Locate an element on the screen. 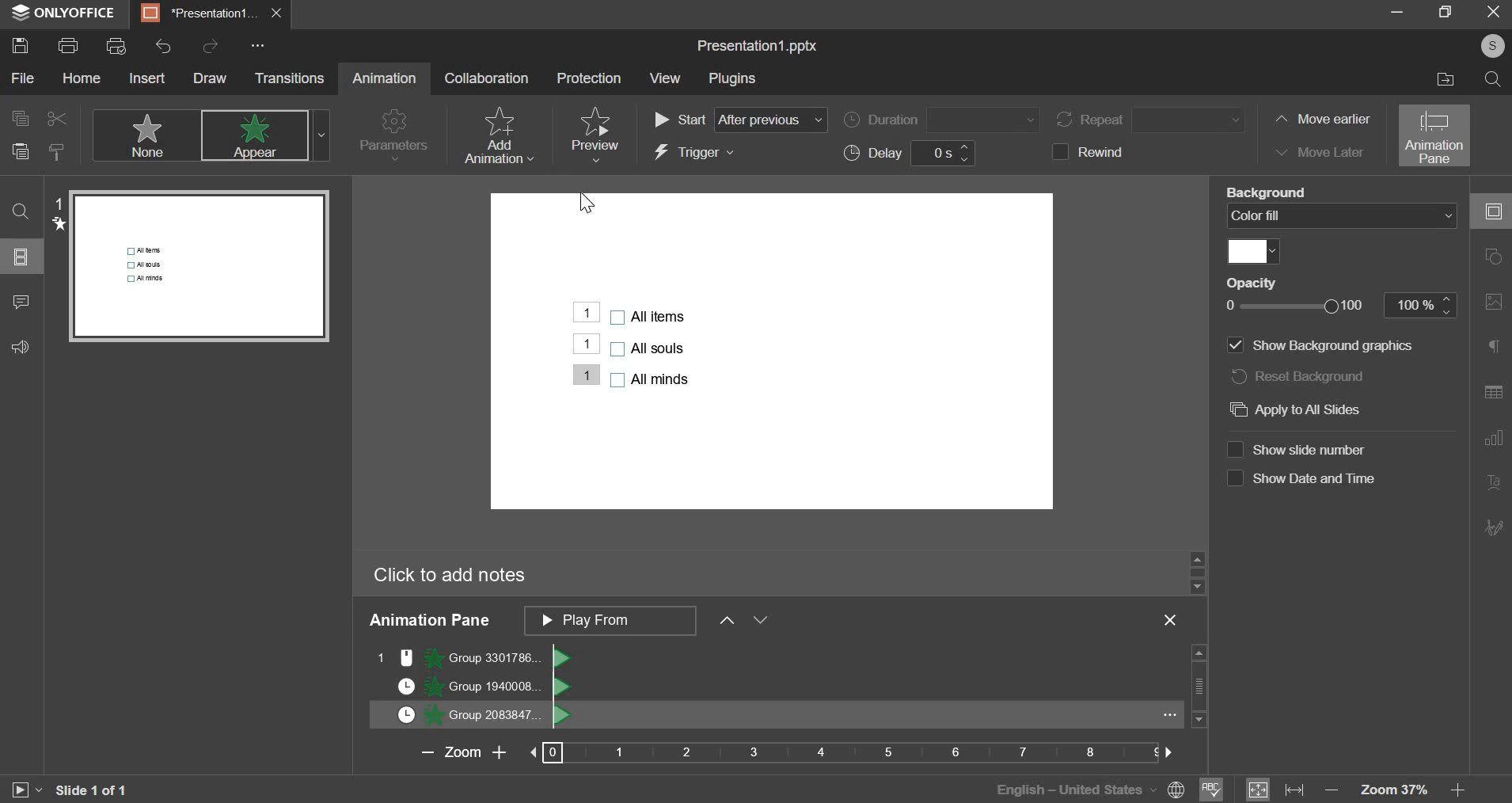 Image resolution: width=1512 pixels, height=803 pixels. print preview is located at coordinates (115, 46).